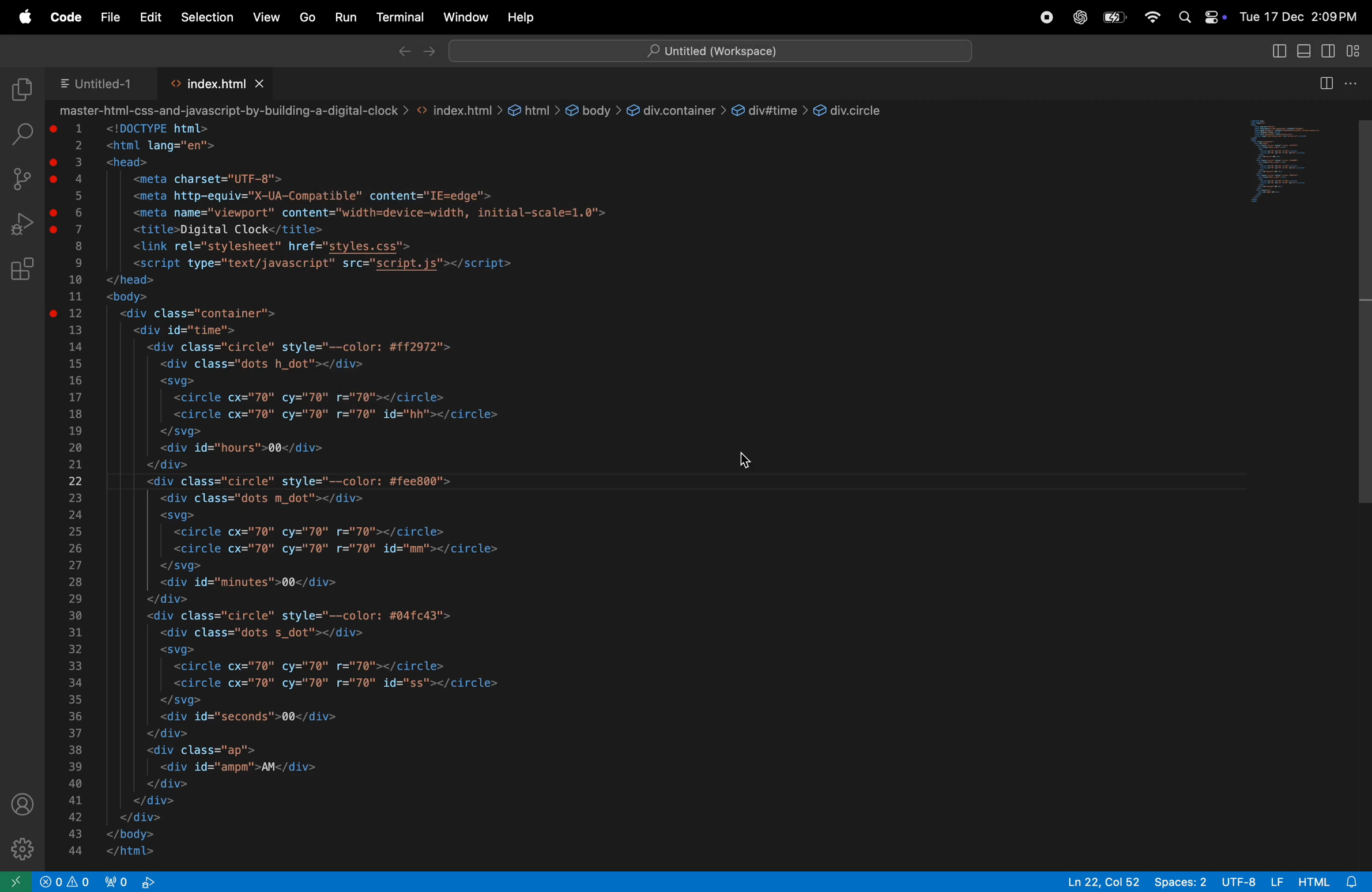 The width and height of the screenshot is (1372, 892). I want to click on close, so click(261, 82).